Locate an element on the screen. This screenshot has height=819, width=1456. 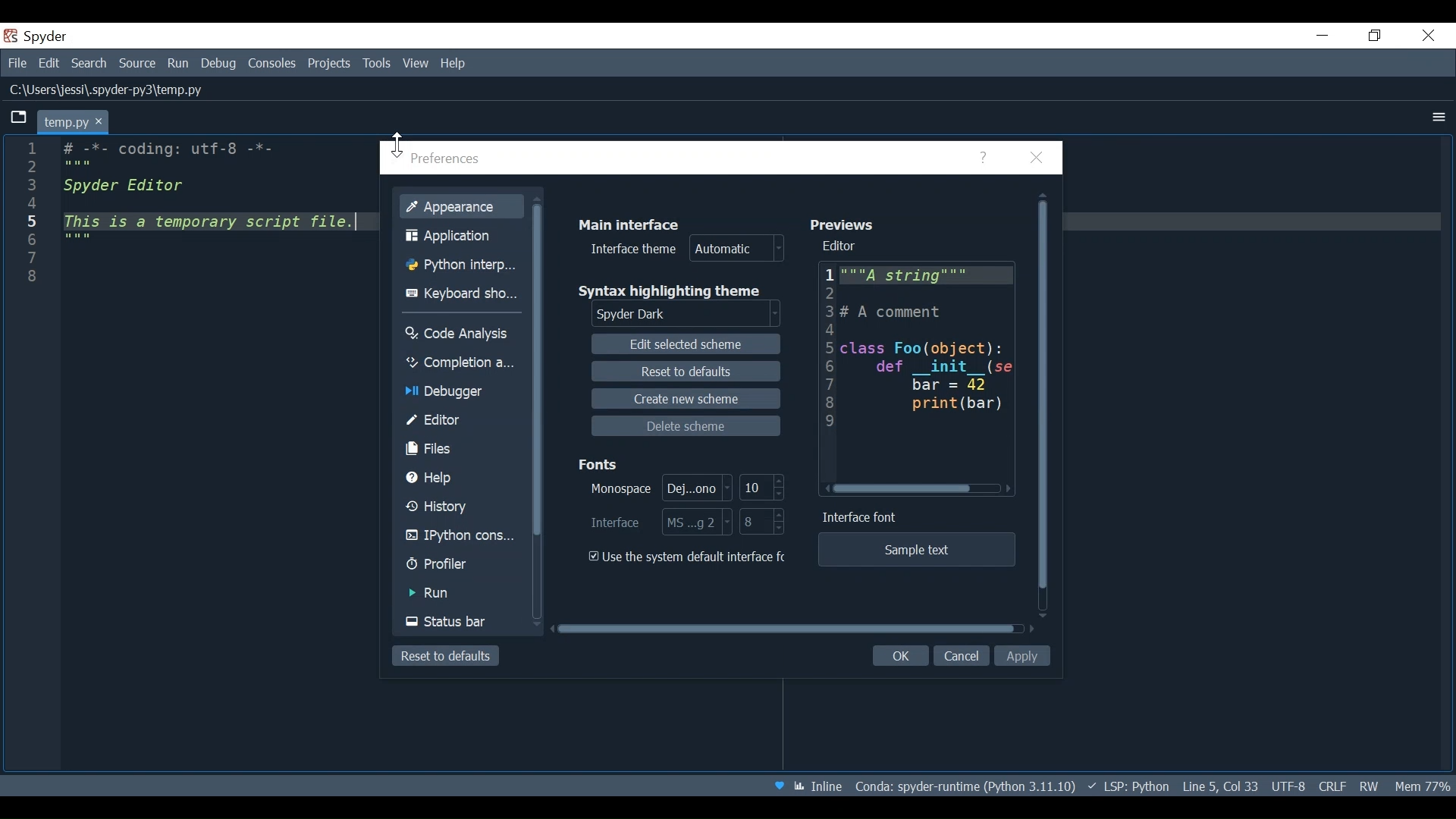
Close is located at coordinates (1426, 35).